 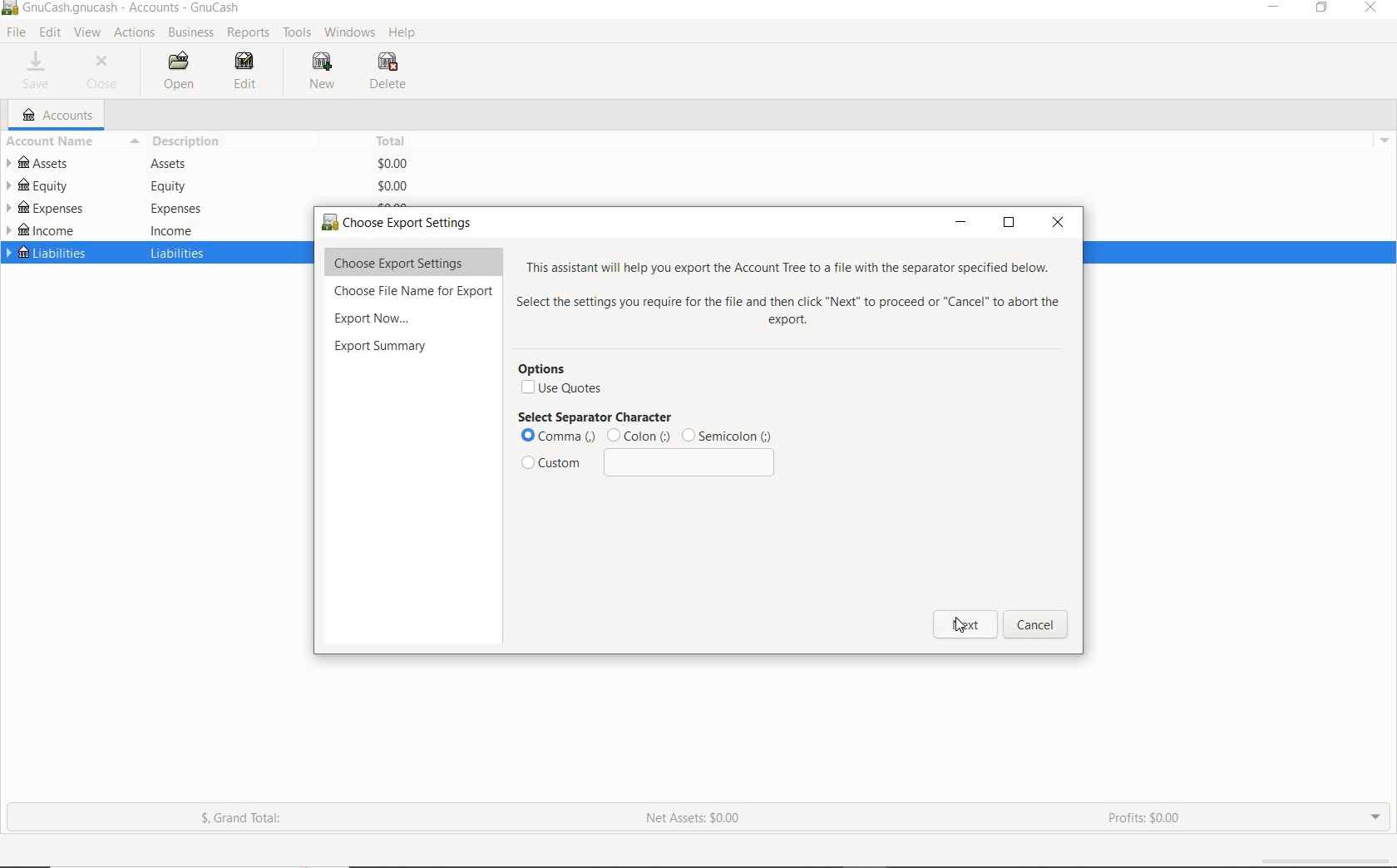 What do you see at coordinates (182, 142) in the screenshot?
I see `DESCRIPTION` at bounding box center [182, 142].